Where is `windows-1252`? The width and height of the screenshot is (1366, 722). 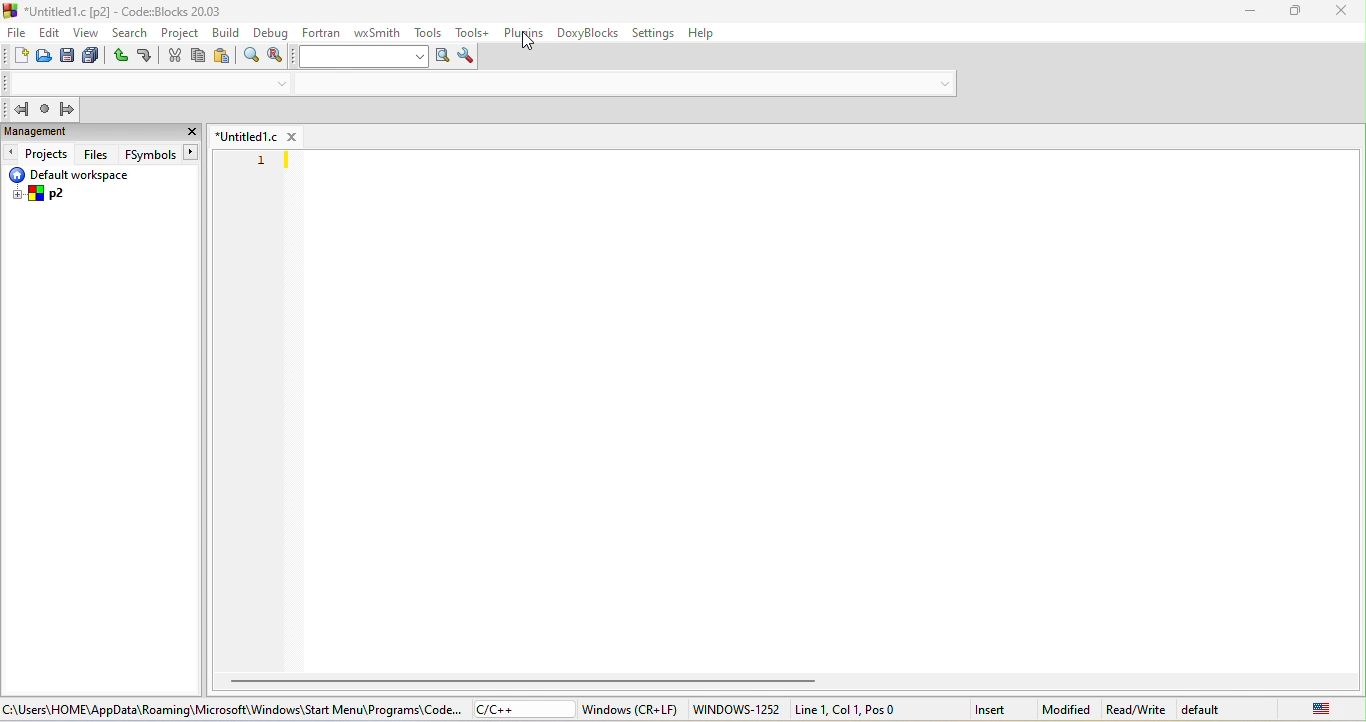 windows-1252 is located at coordinates (738, 710).